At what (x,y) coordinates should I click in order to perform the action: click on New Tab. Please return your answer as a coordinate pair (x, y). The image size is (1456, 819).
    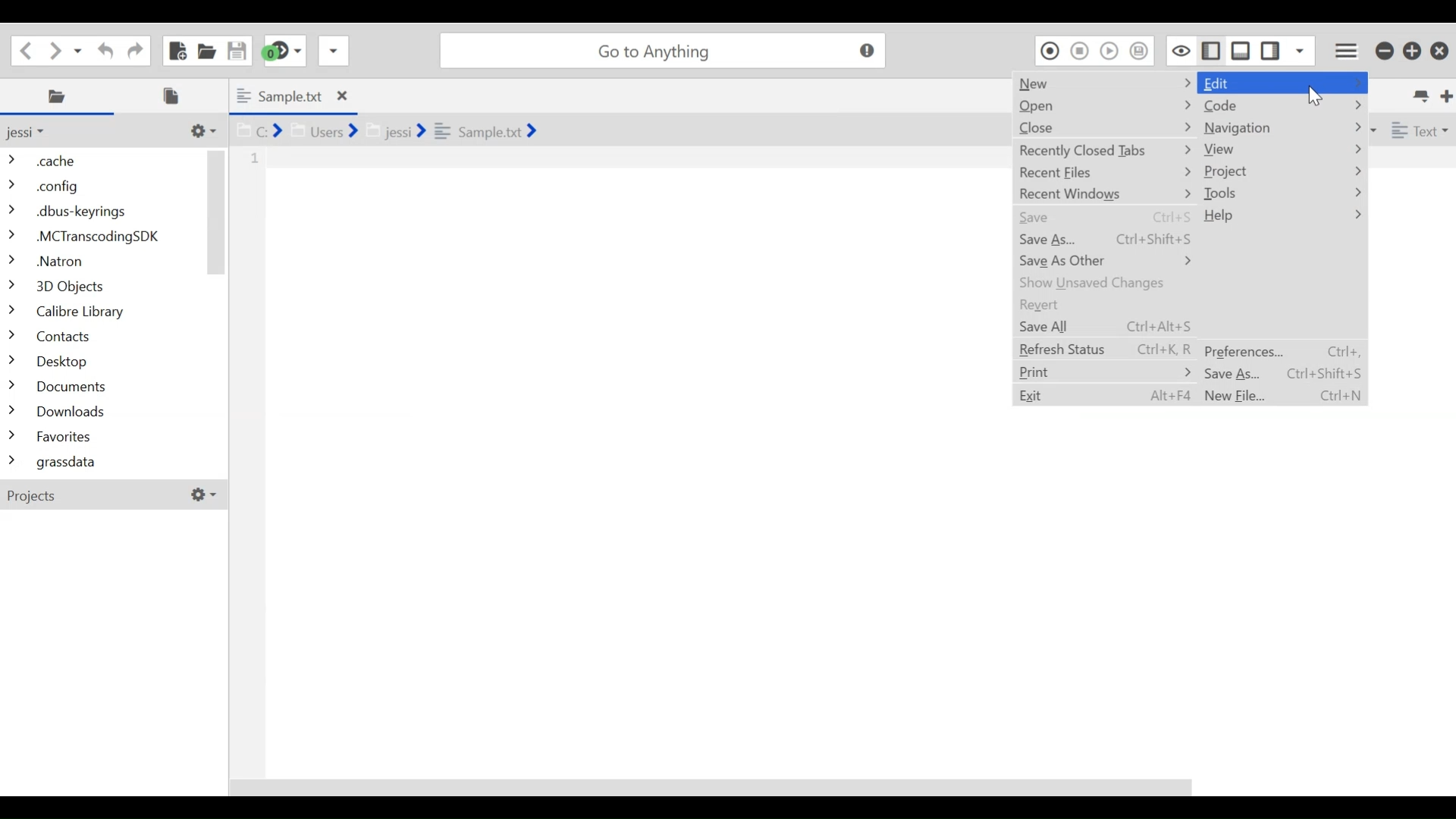
    Looking at the image, I should click on (1444, 94).